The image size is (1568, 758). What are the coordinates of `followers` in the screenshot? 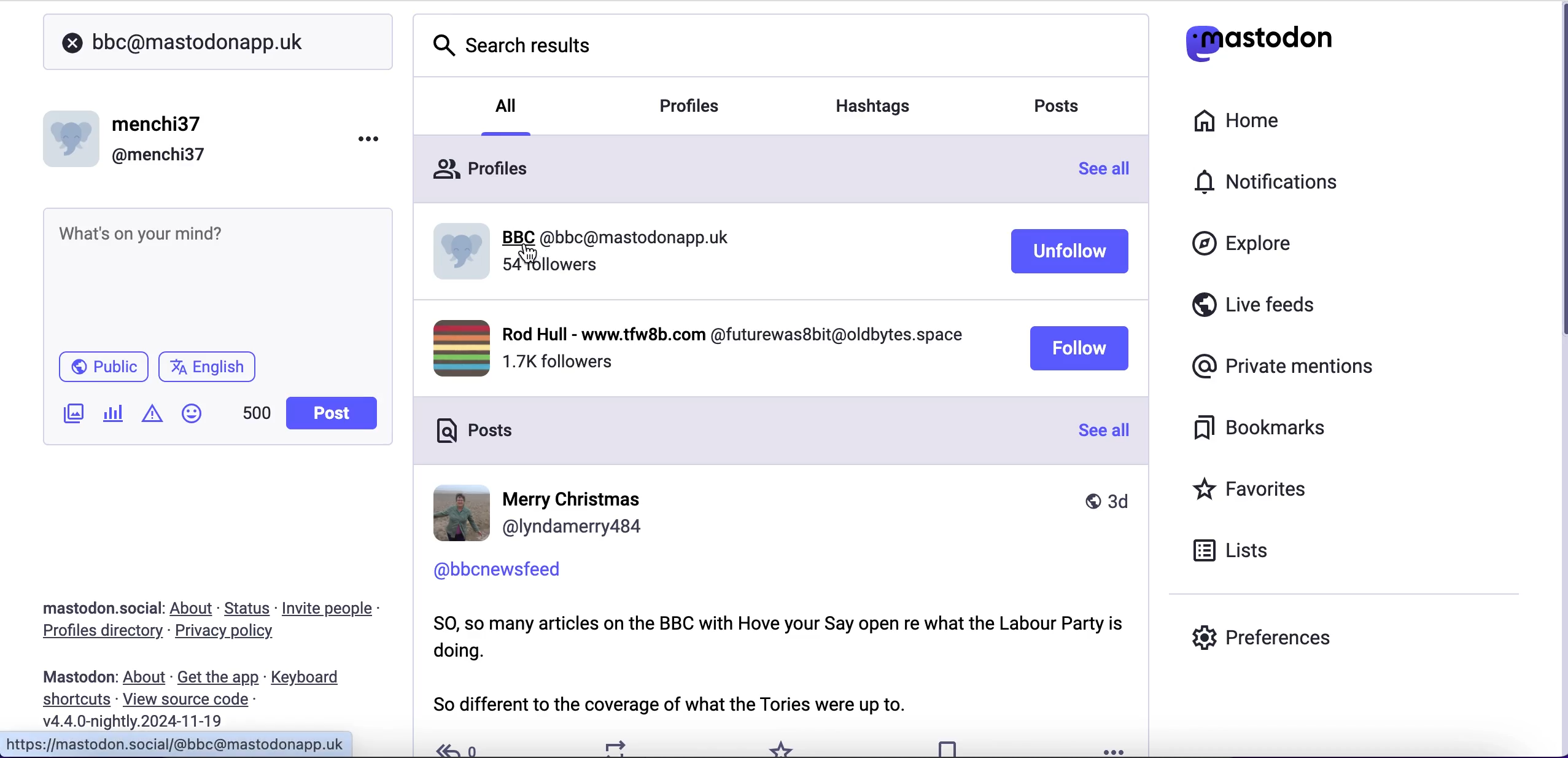 It's located at (549, 268).